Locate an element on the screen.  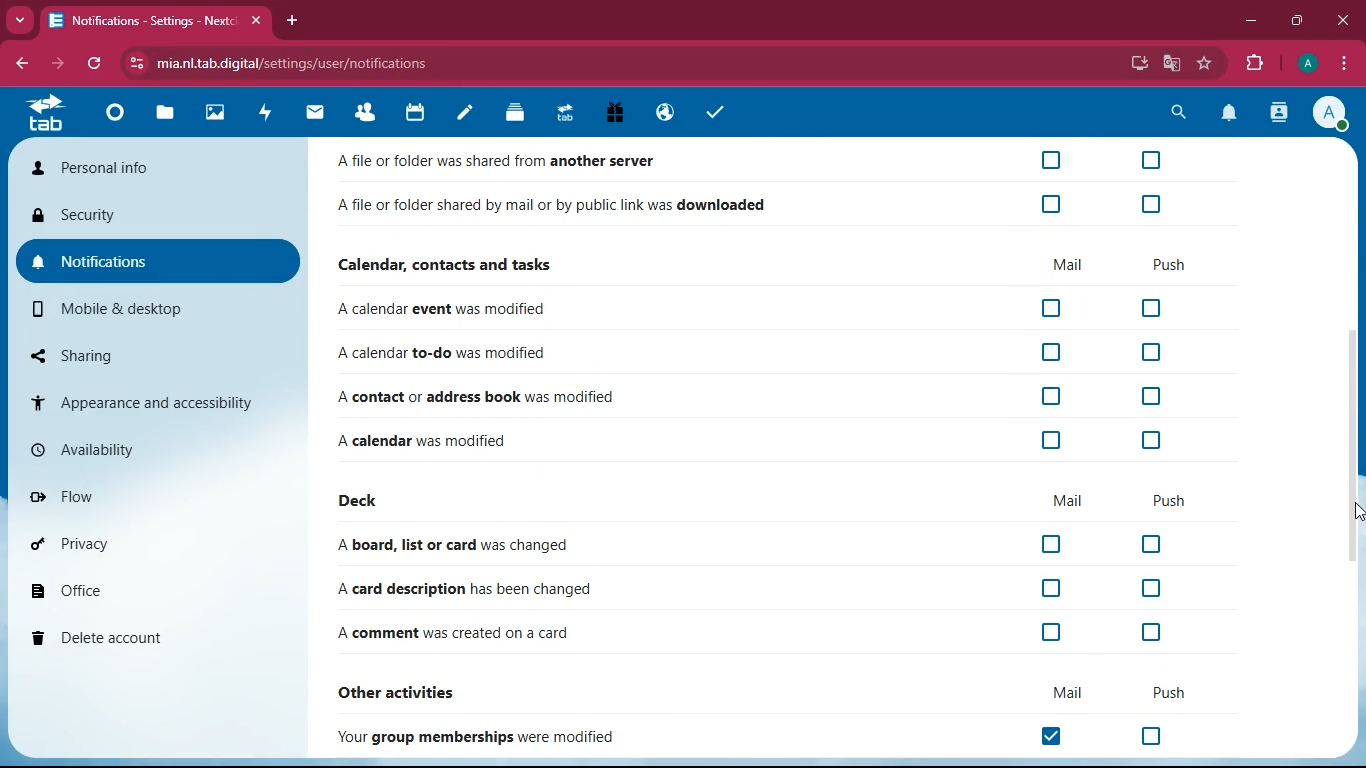
off is located at coordinates (1148, 354).